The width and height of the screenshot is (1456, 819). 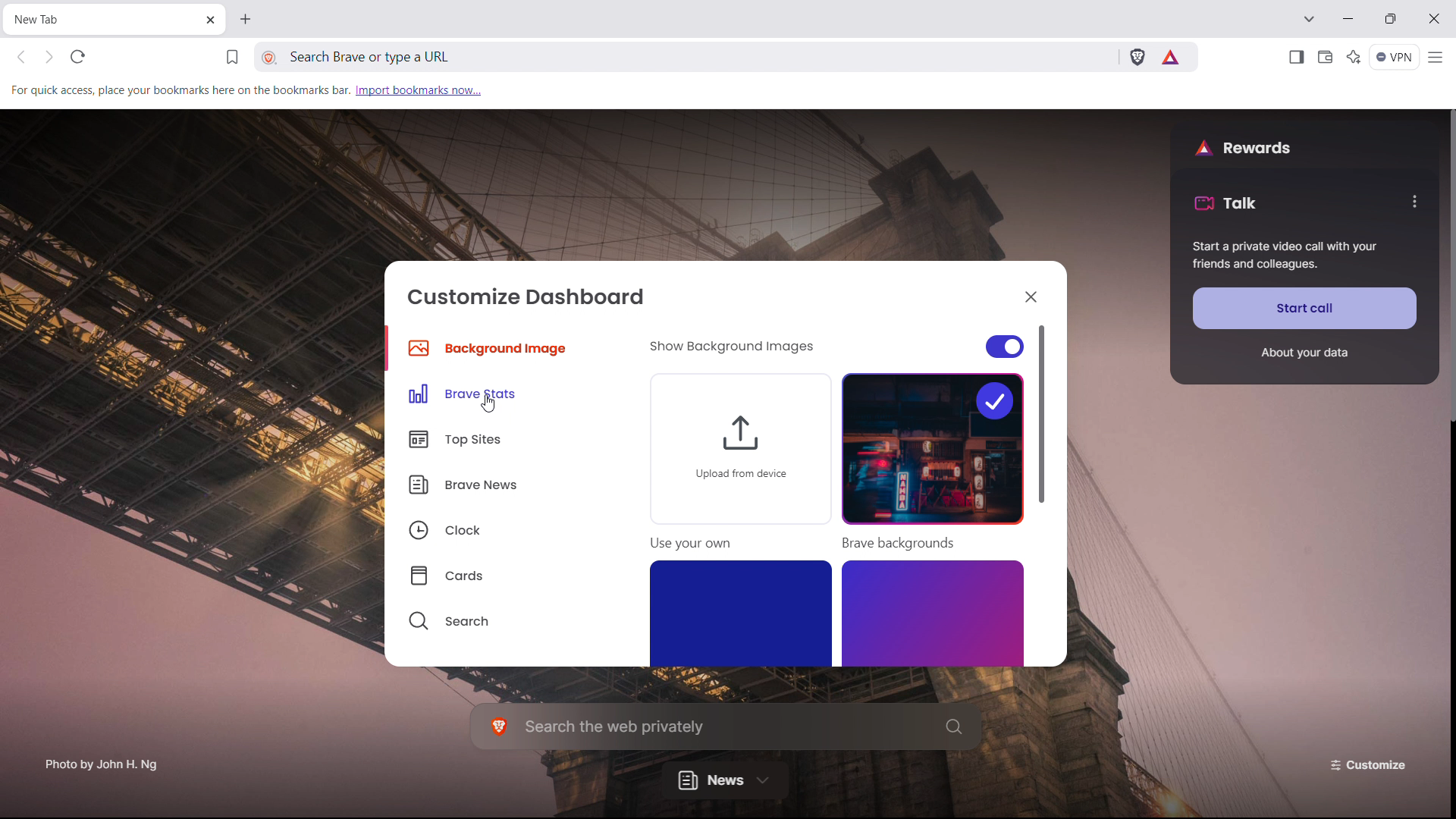 I want to click on brave news, so click(x=507, y=482).